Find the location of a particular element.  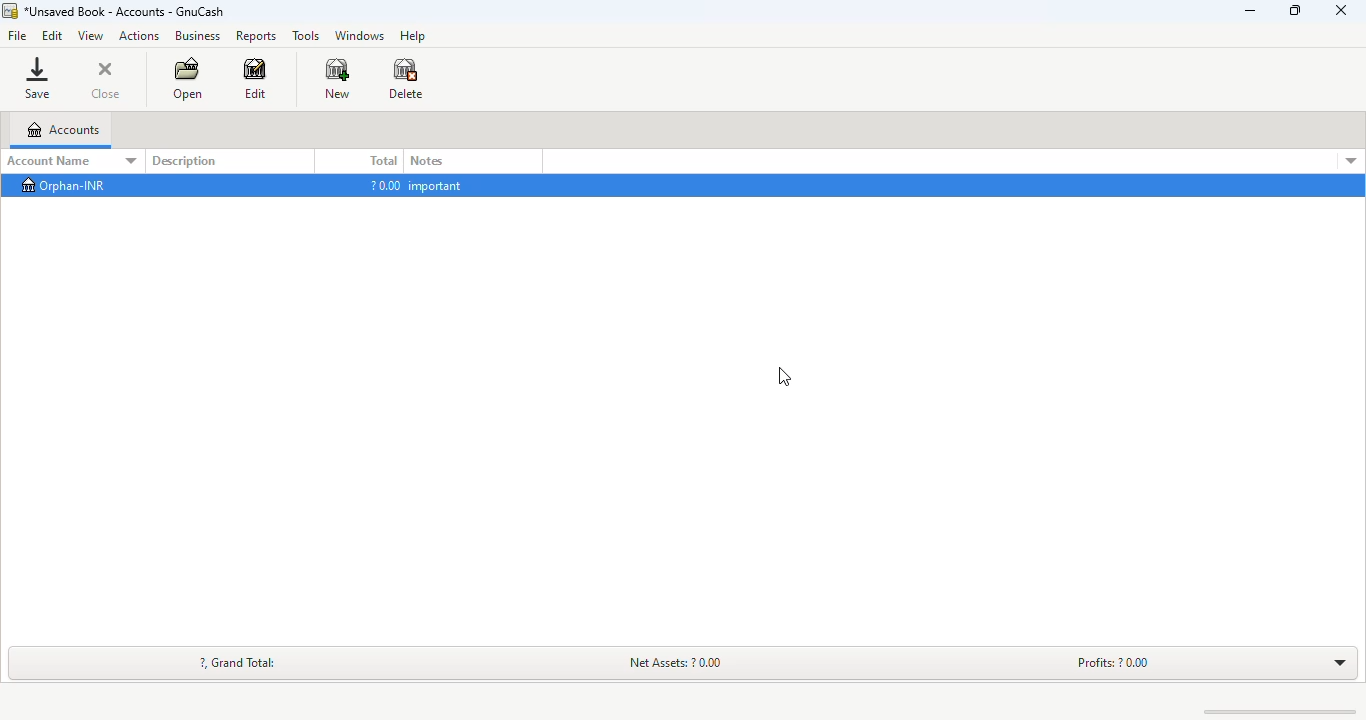

actions is located at coordinates (140, 36).